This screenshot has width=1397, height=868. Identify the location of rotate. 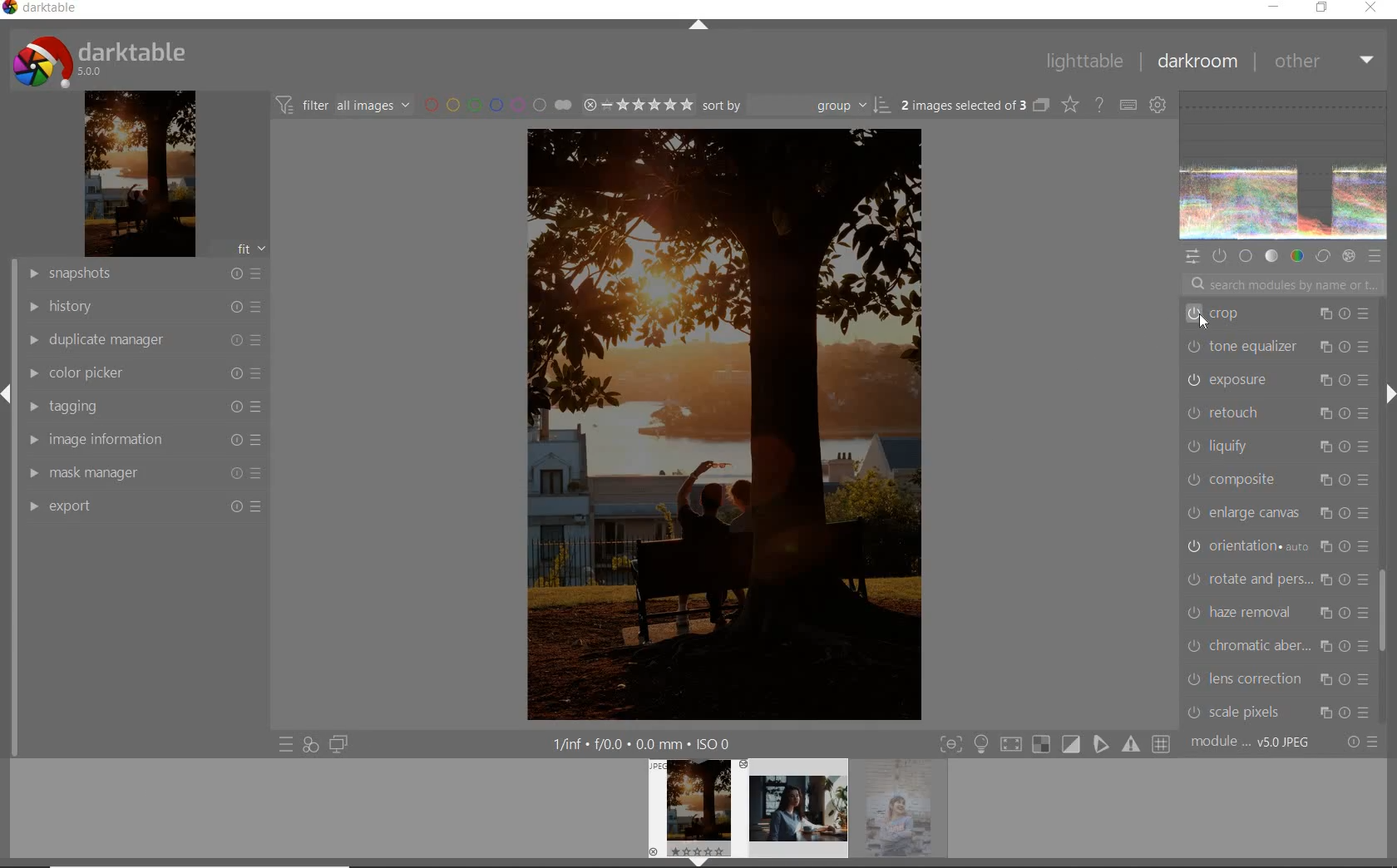
(1278, 580).